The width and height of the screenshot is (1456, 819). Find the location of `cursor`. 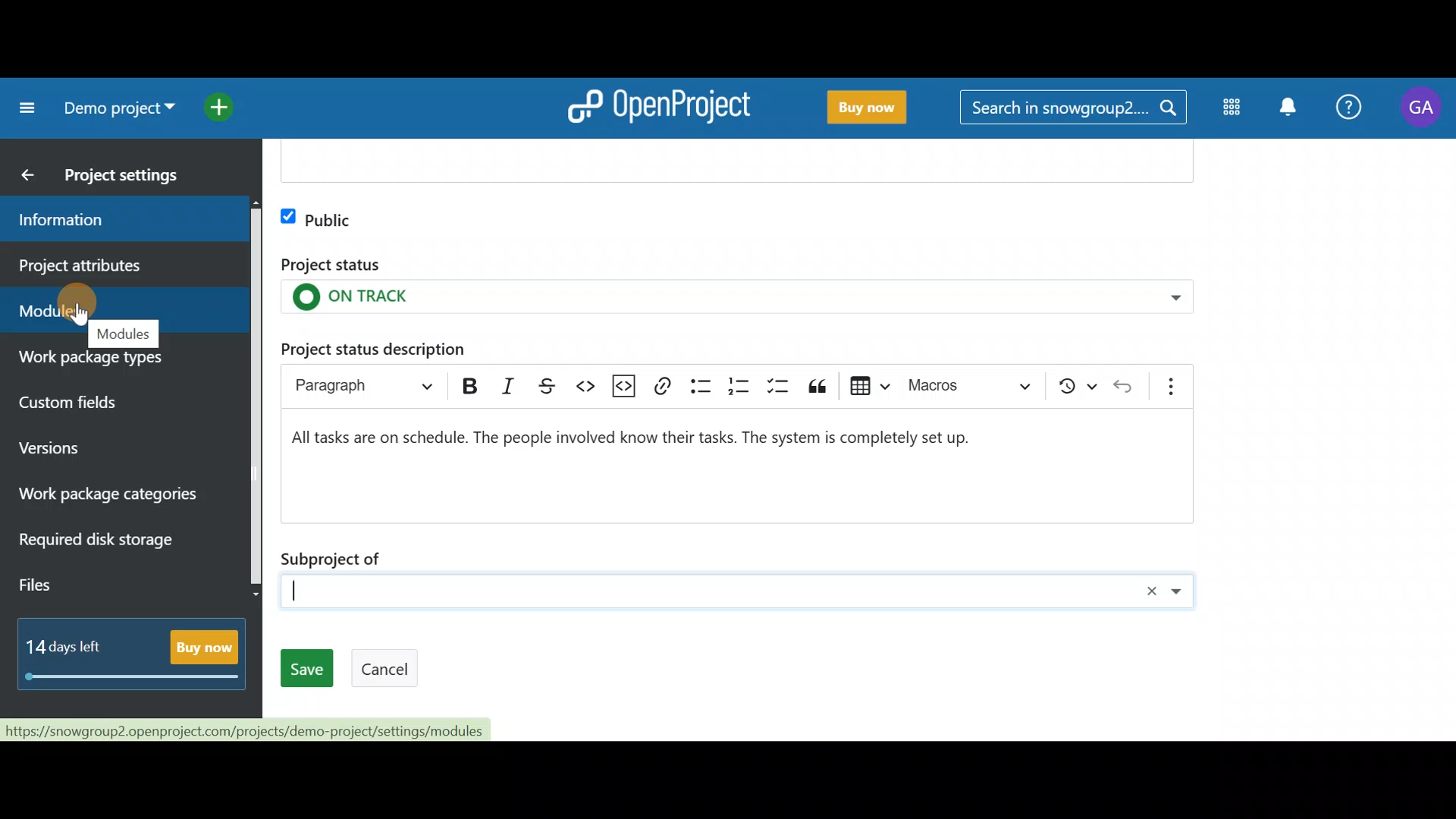

cursor is located at coordinates (80, 315).